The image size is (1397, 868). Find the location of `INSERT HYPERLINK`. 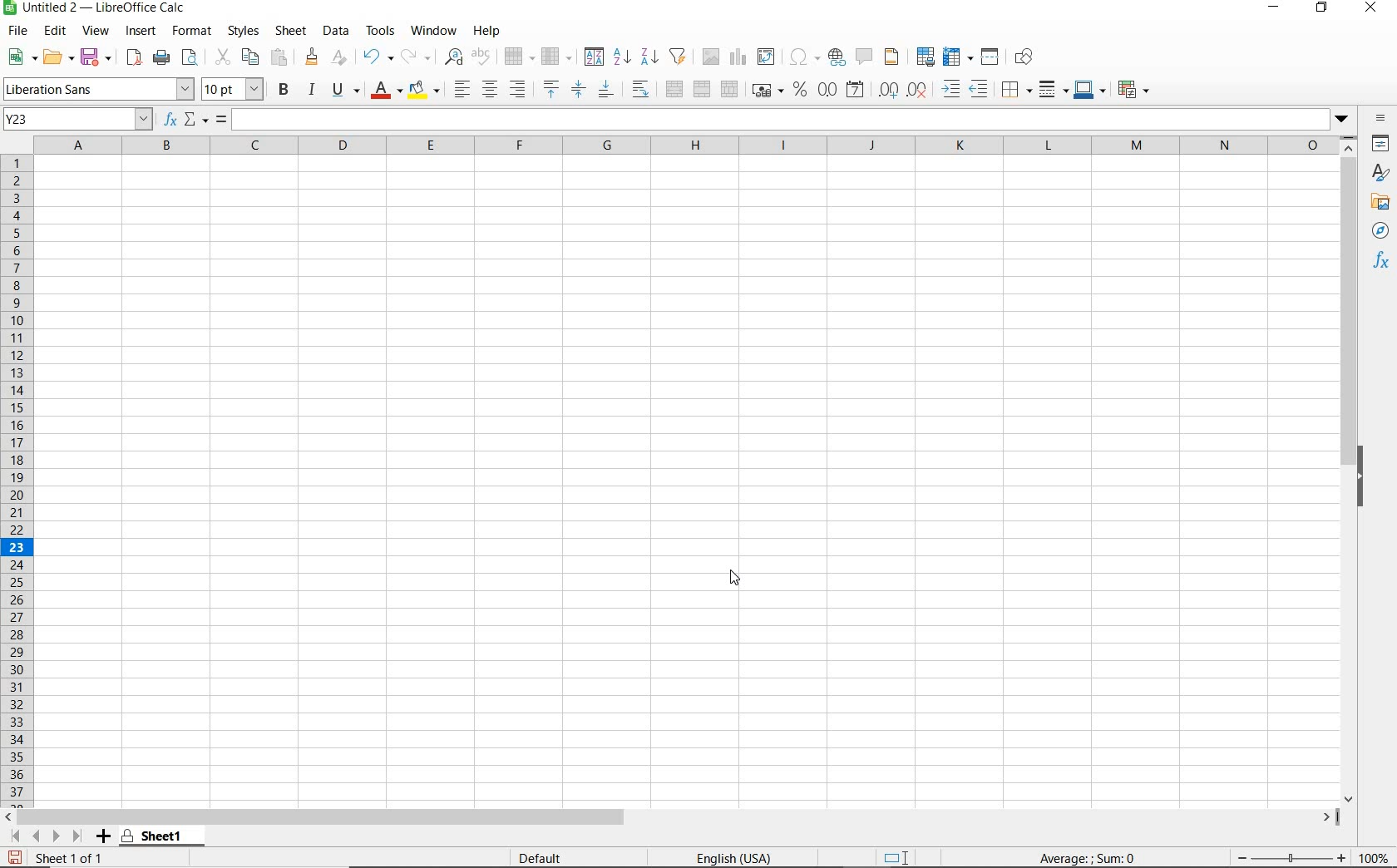

INSERT HYPERLINK is located at coordinates (837, 56).